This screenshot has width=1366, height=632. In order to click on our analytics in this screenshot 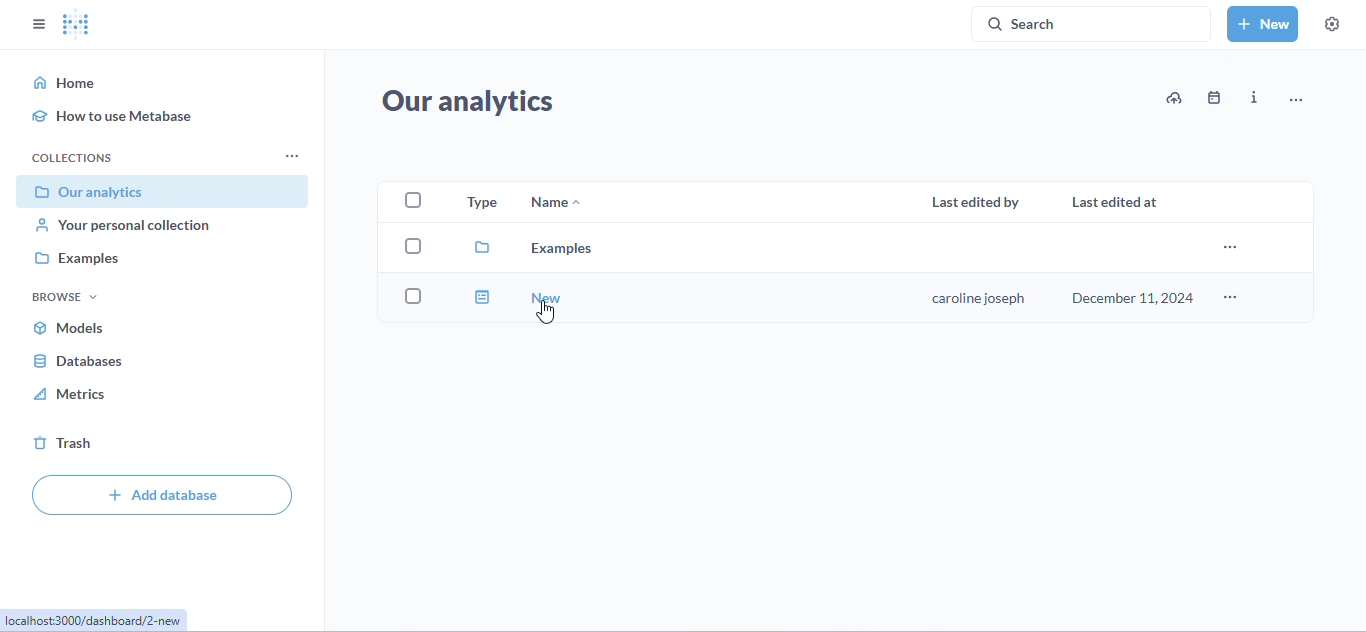, I will do `click(470, 102)`.